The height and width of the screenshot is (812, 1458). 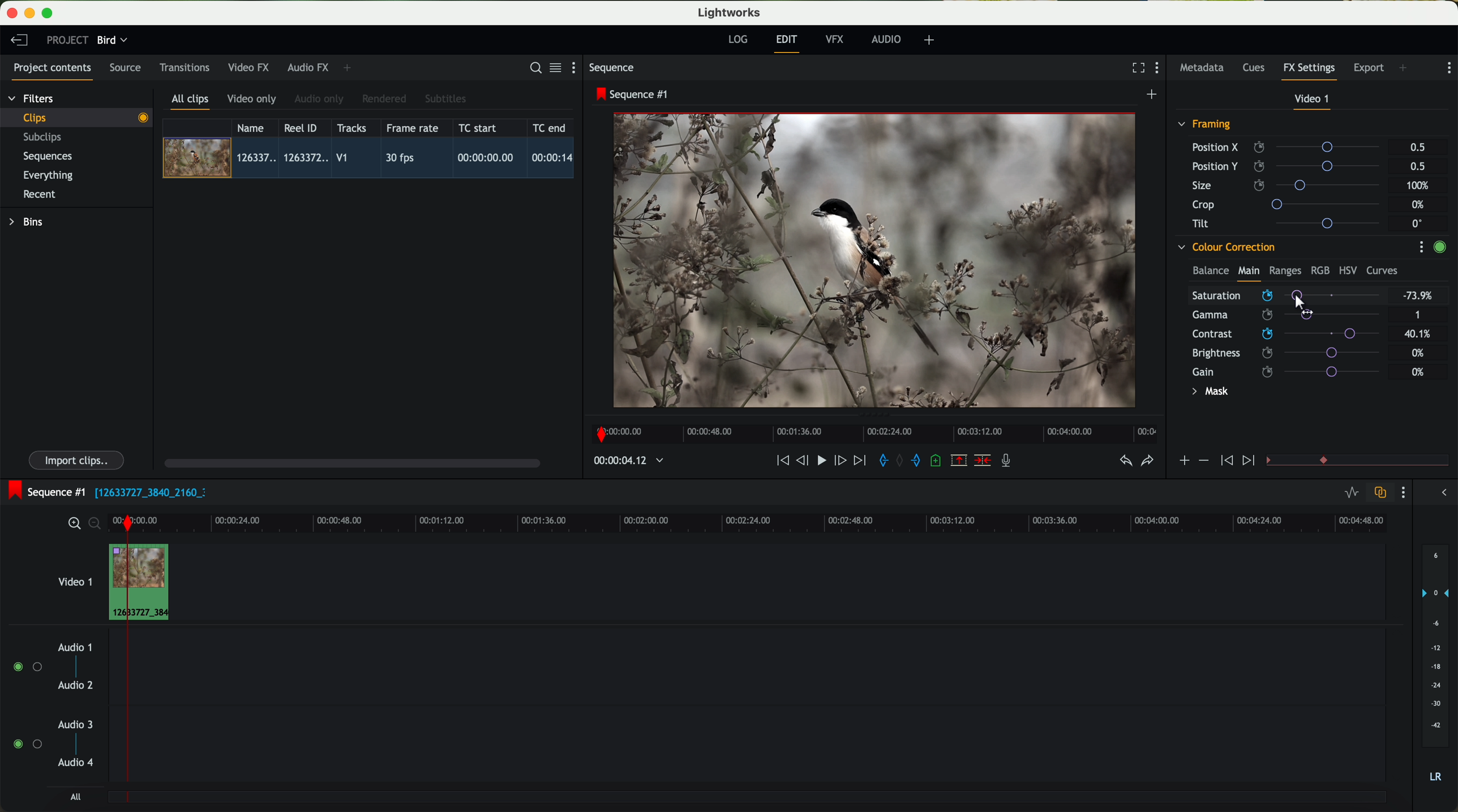 What do you see at coordinates (1421, 334) in the screenshot?
I see `40.1%` at bounding box center [1421, 334].